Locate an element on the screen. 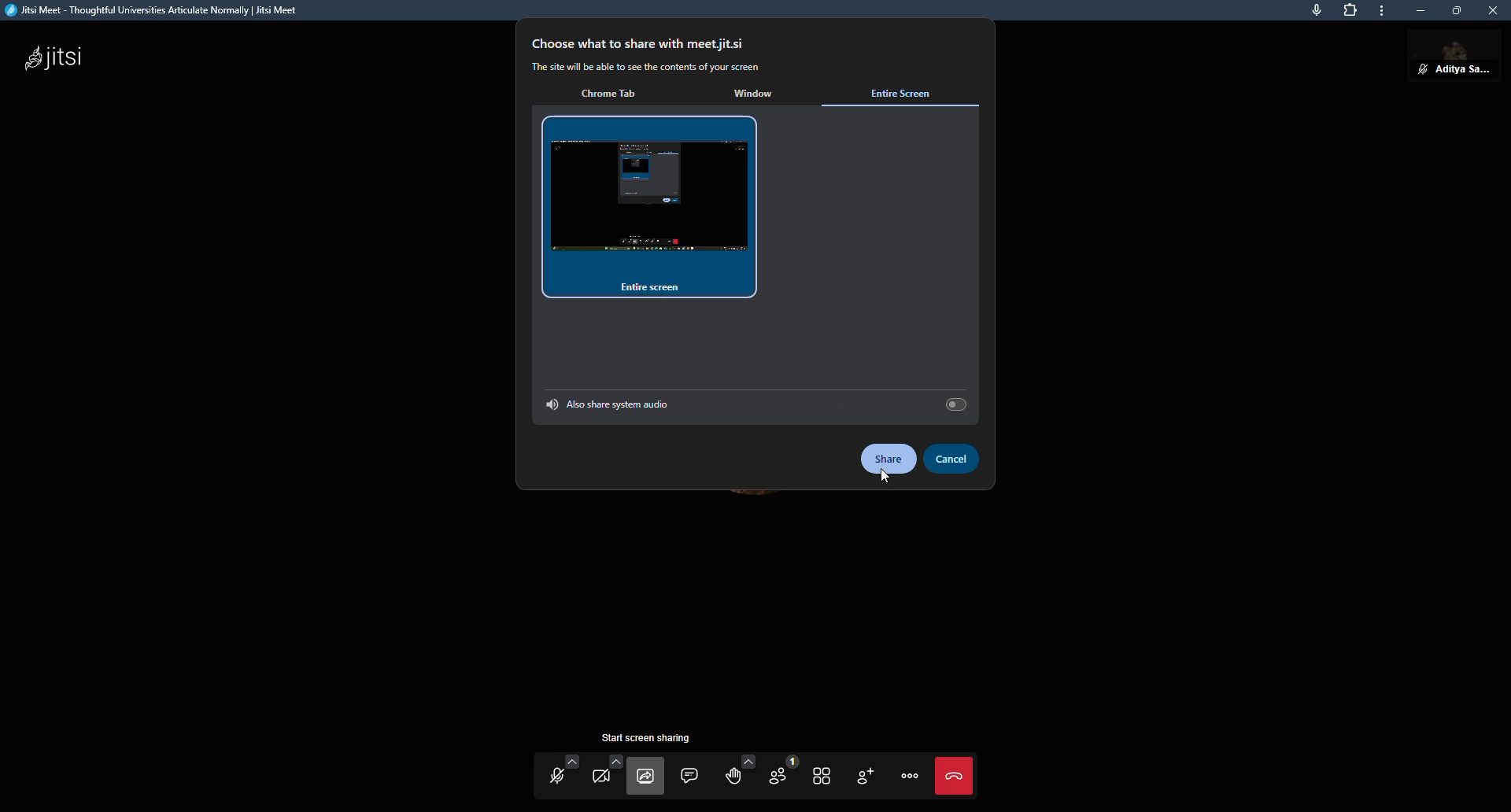 Image resolution: width=1511 pixels, height=812 pixels. invite people is located at coordinates (866, 777).